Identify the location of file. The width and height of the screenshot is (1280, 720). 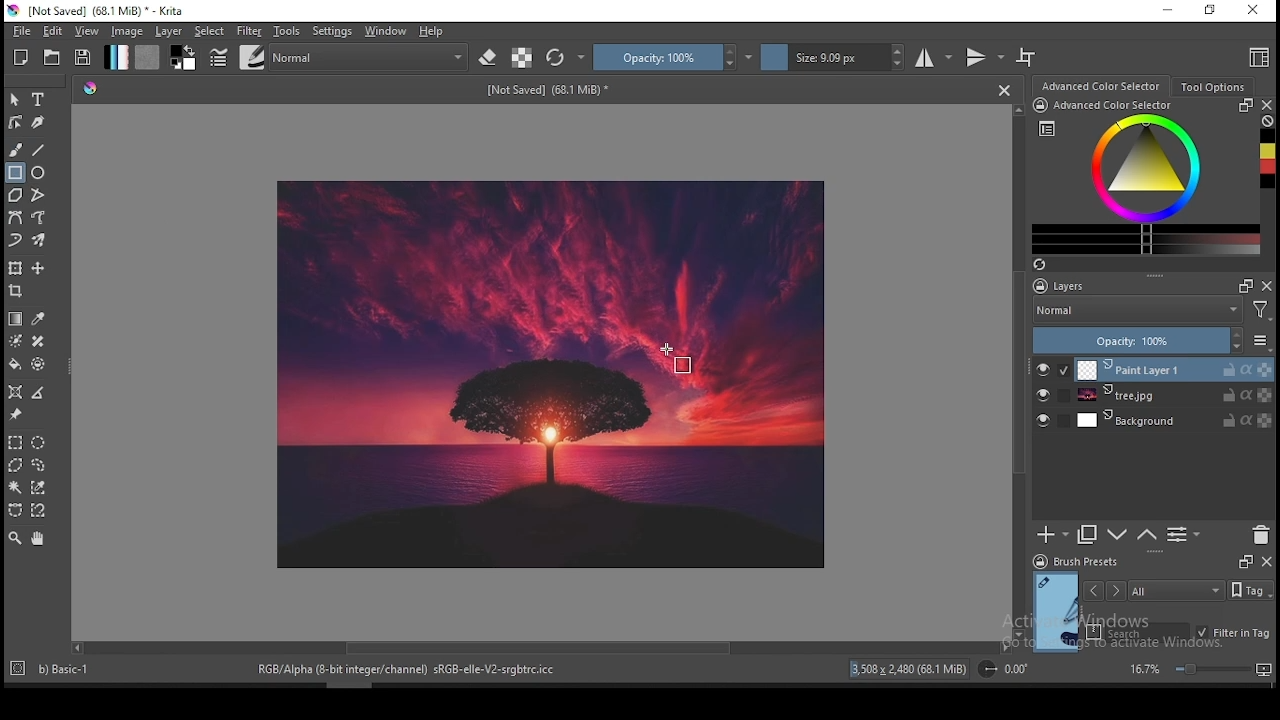
(19, 32).